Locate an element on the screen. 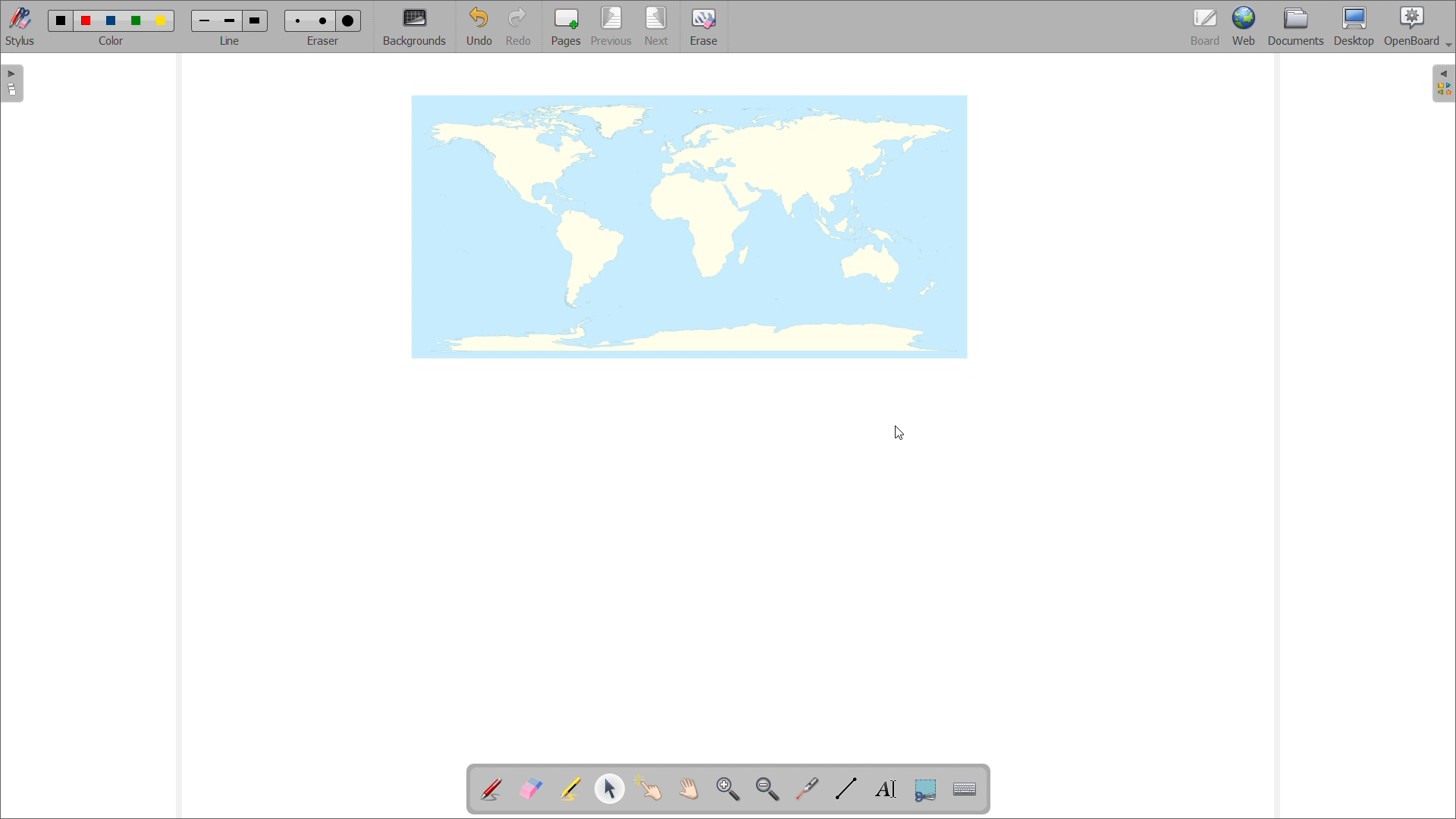 This screenshot has width=1456, height=819. select and modify object is located at coordinates (610, 789).